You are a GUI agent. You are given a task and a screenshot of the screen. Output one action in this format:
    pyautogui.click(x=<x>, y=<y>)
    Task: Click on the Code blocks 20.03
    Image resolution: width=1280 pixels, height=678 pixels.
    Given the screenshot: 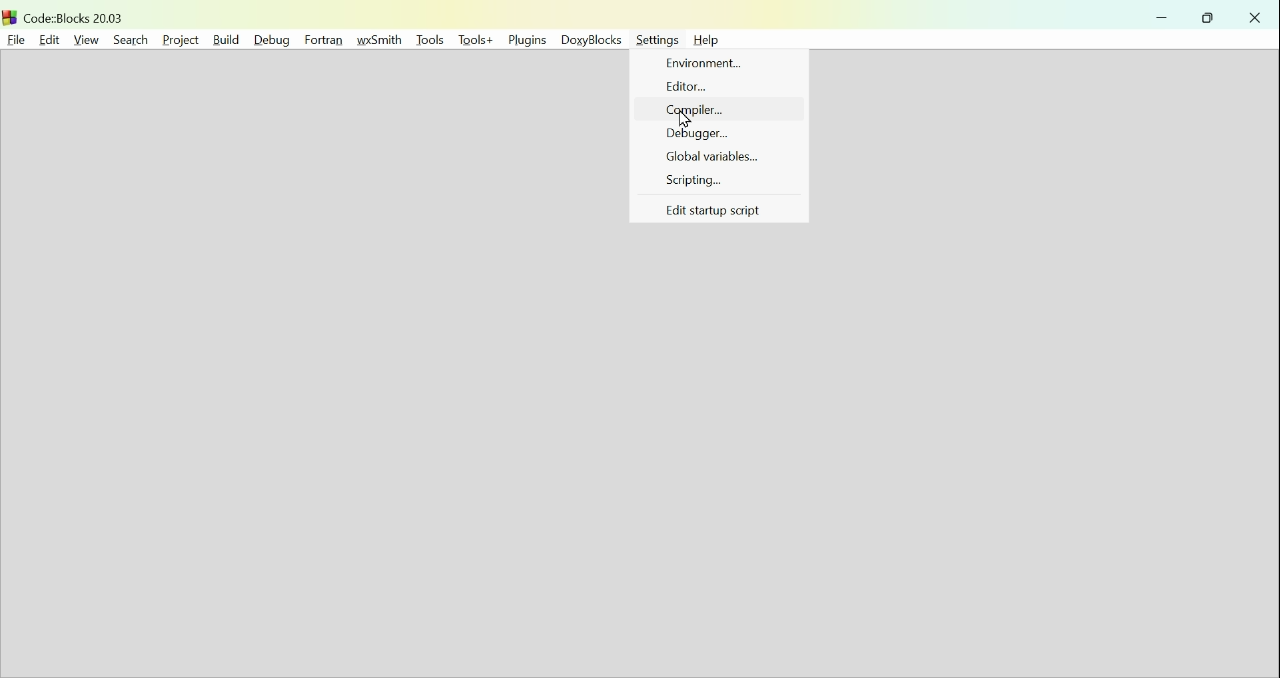 What is the action you would take?
    pyautogui.click(x=65, y=15)
    